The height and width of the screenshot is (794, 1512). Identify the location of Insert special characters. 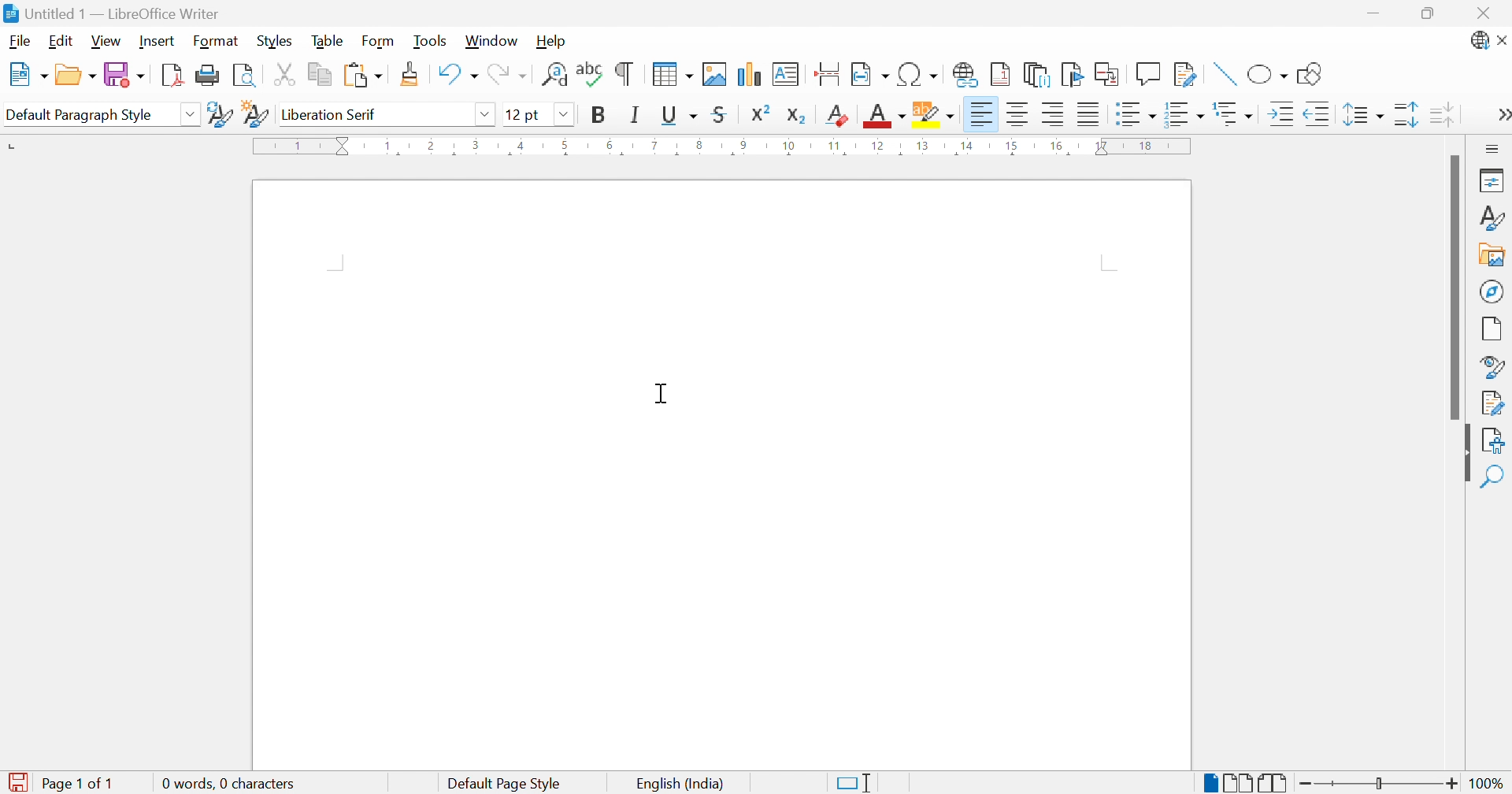
(919, 75).